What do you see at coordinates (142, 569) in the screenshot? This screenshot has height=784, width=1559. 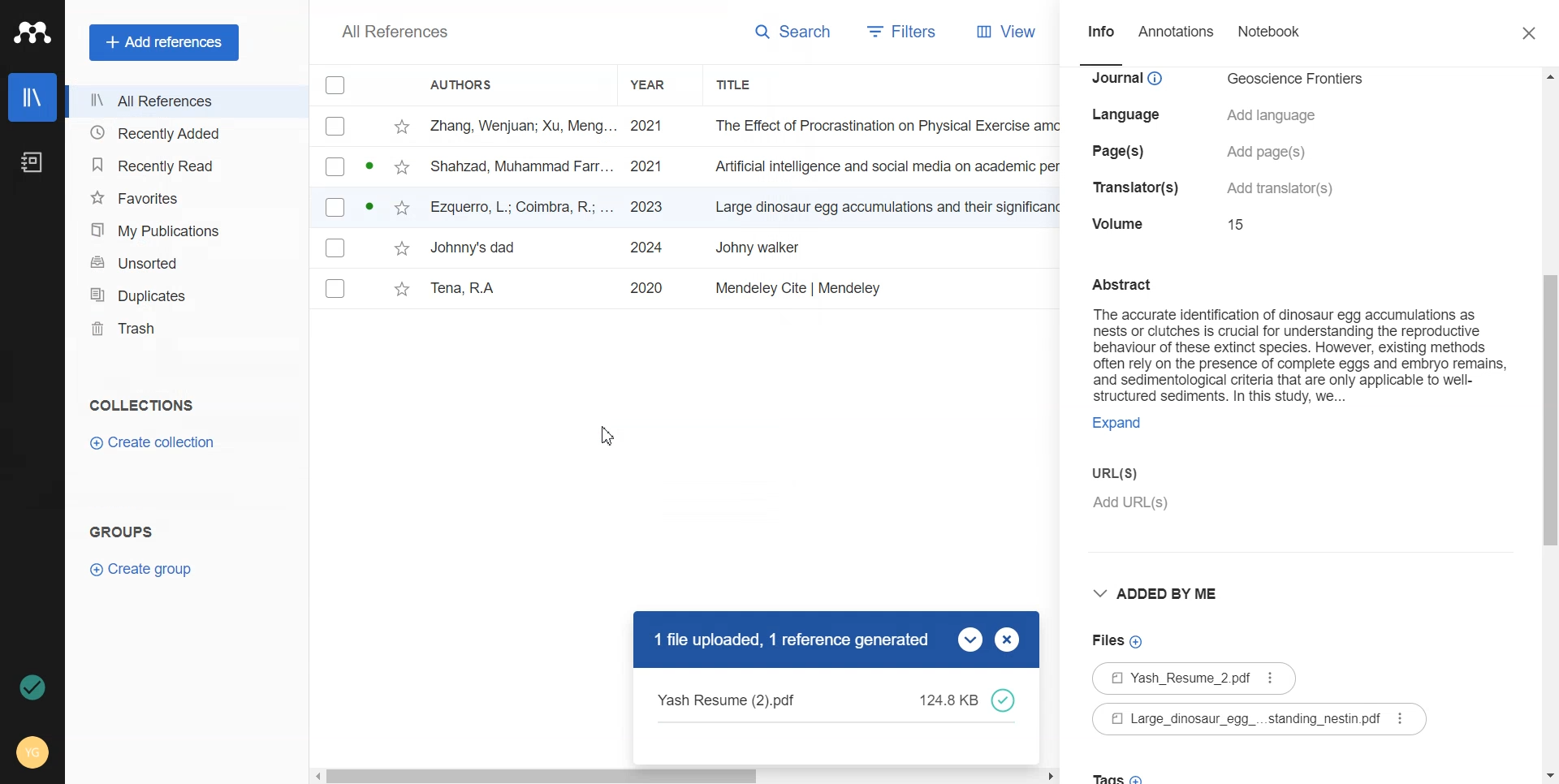 I see `Create Group` at bounding box center [142, 569].